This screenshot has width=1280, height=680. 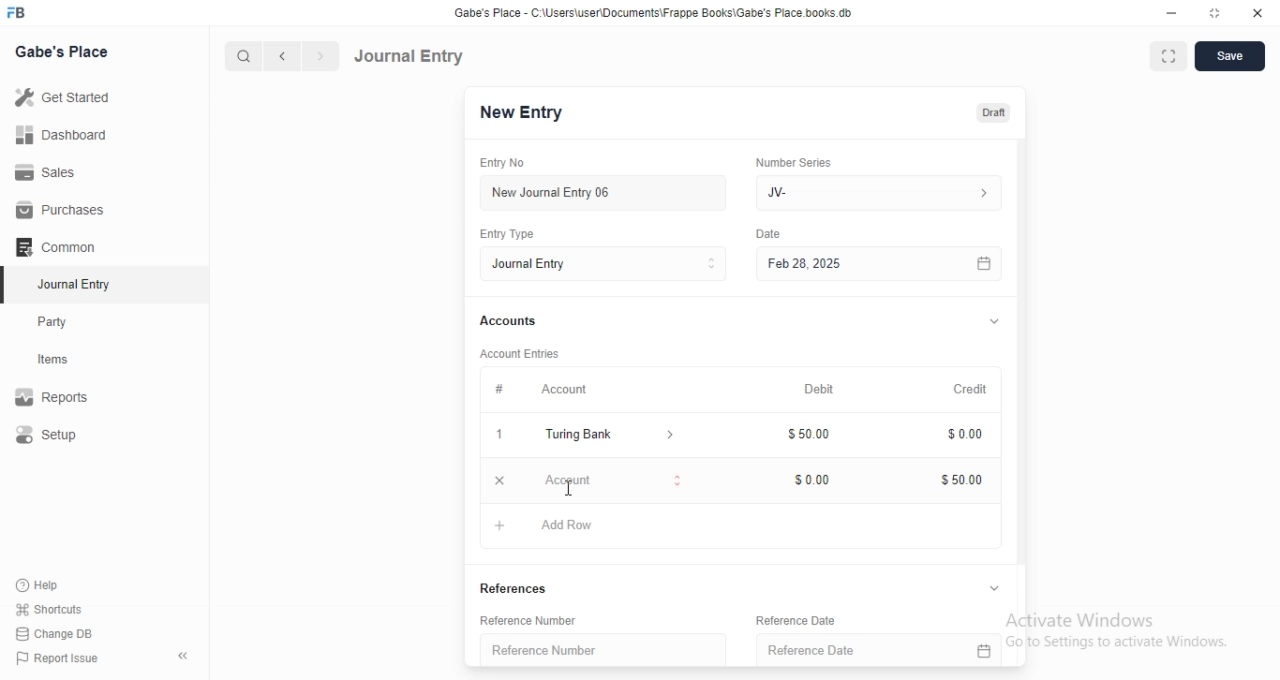 What do you see at coordinates (66, 361) in the screenshot?
I see `items` at bounding box center [66, 361].